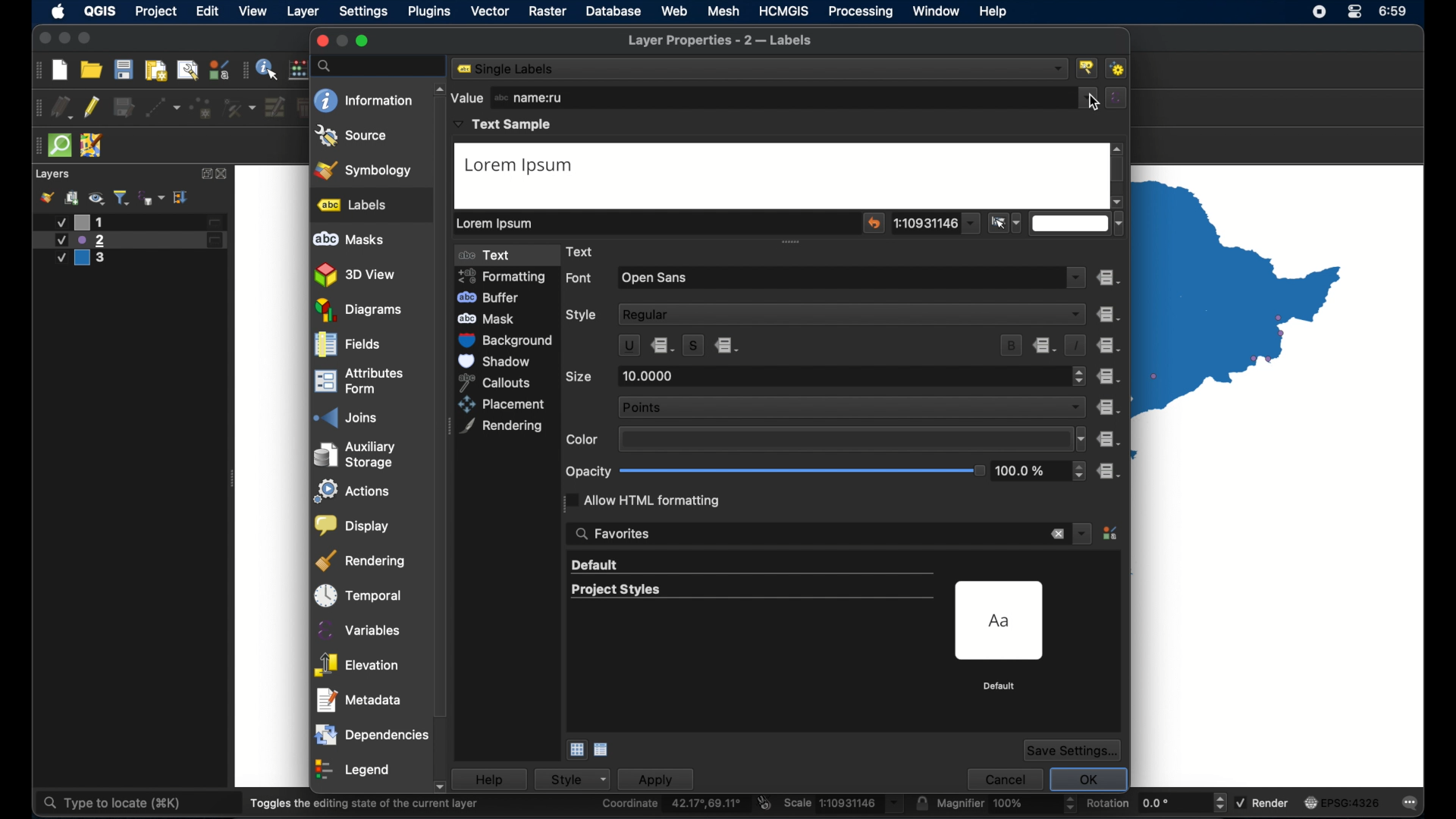 Image resolution: width=1456 pixels, height=819 pixels. What do you see at coordinates (1411, 804) in the screenshot?
I see `messages` at bounding box center [1411, 804].